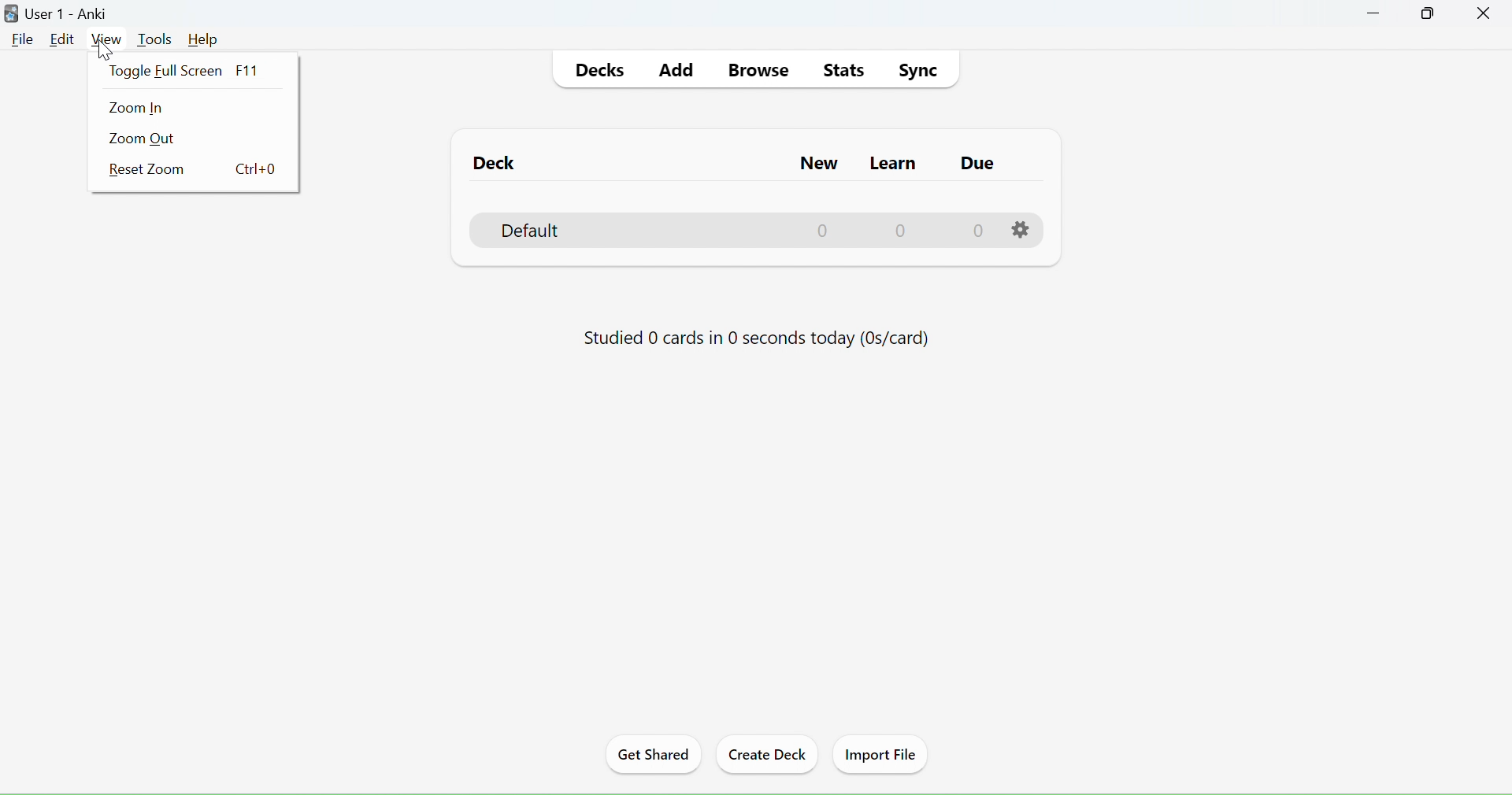 The width and height of the screenshot is (1512, 795). What do you see at coordinates (194, 68) in the screenshot?
I see `toggle full screen` at bounding box center [194, 68].